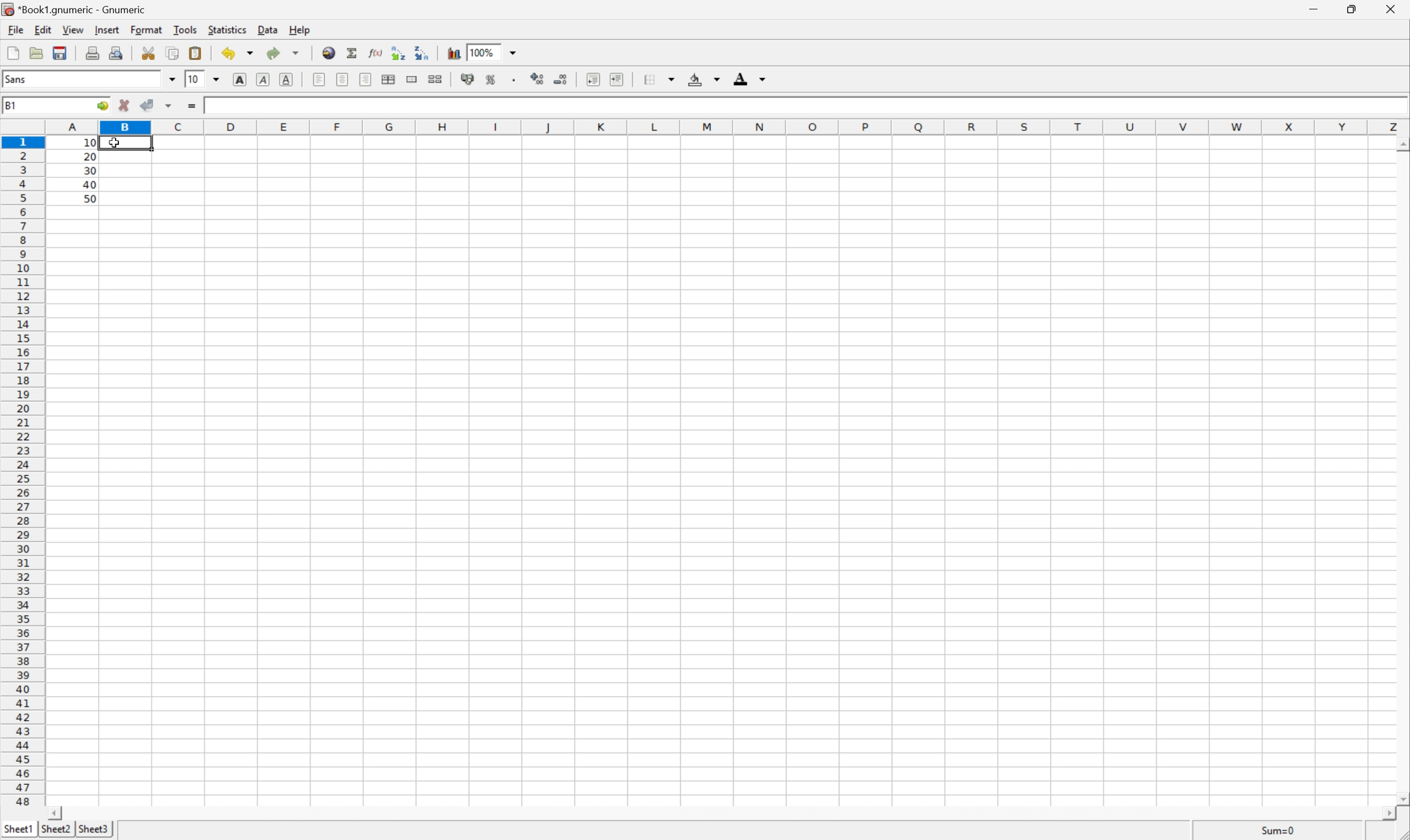 The height and width of the screenshot is (840, 1410). What do you see at coordinates (366, 79) in the screenshot?
I see `Align Right` at bounding box center [366, 79].